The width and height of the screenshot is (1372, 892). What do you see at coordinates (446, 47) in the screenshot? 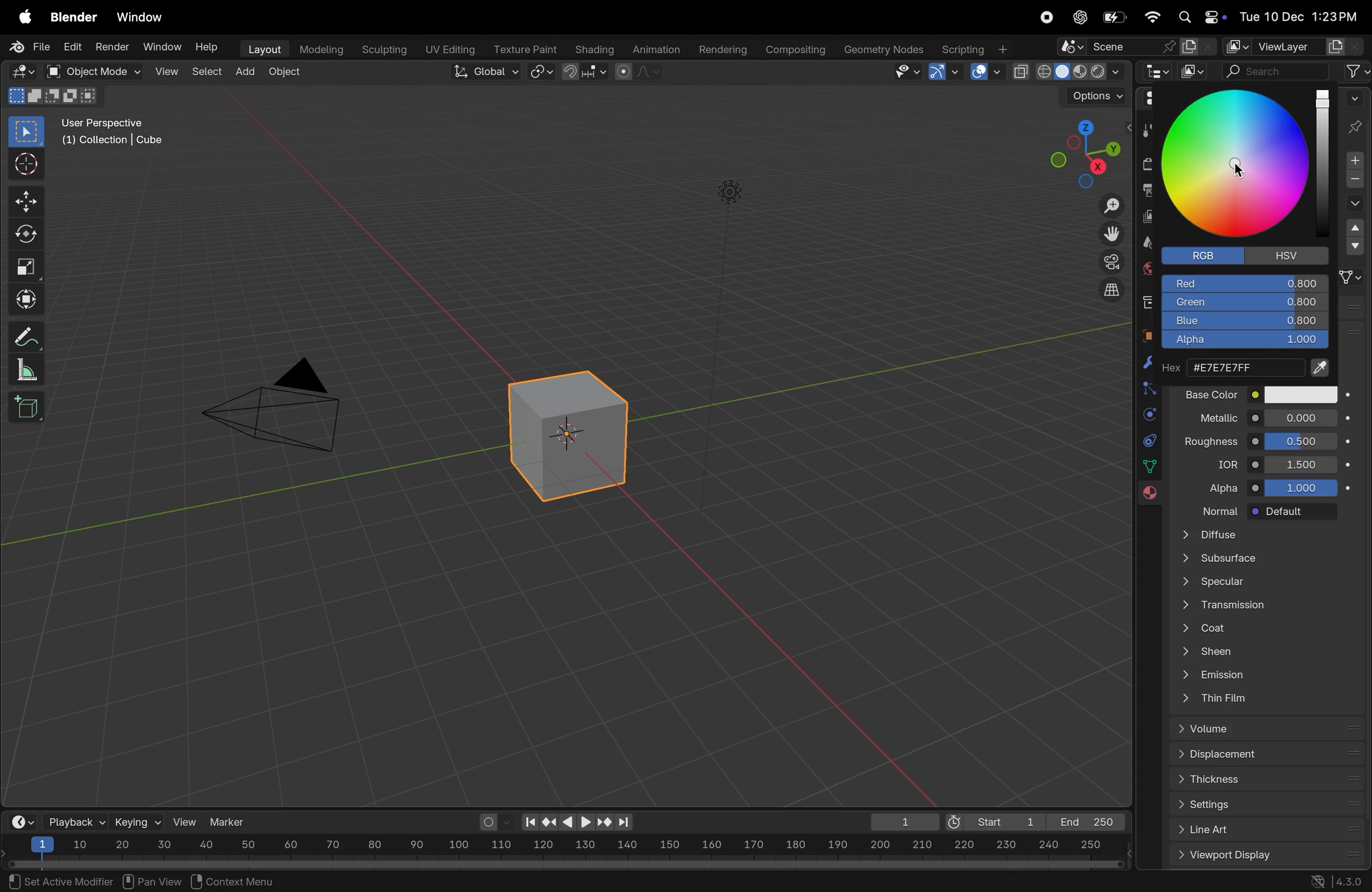
I see `Uv editing` at bounding box center [446, 47].